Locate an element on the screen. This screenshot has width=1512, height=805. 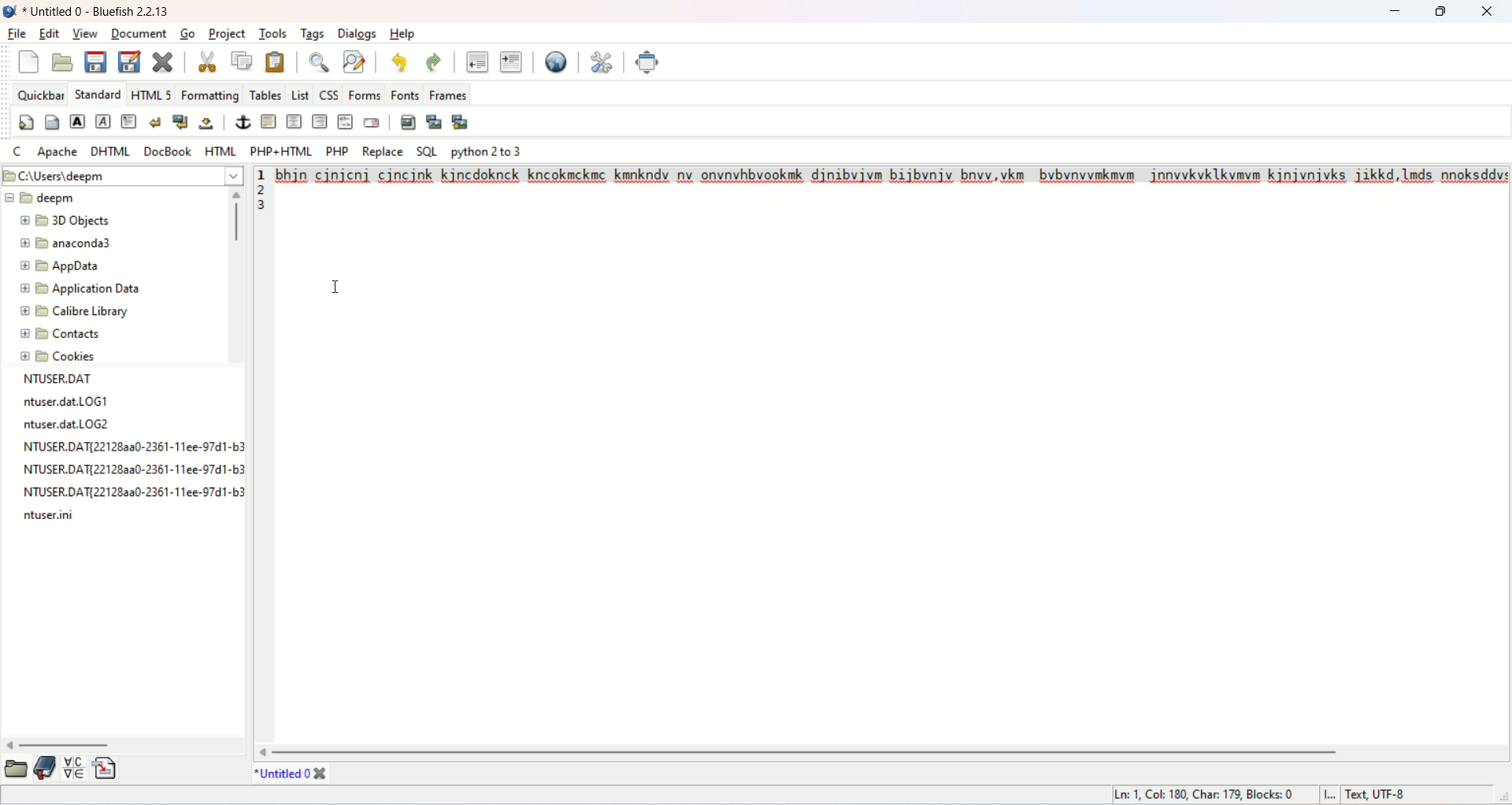
DOCBOOK is located at coordinates (170, 151).